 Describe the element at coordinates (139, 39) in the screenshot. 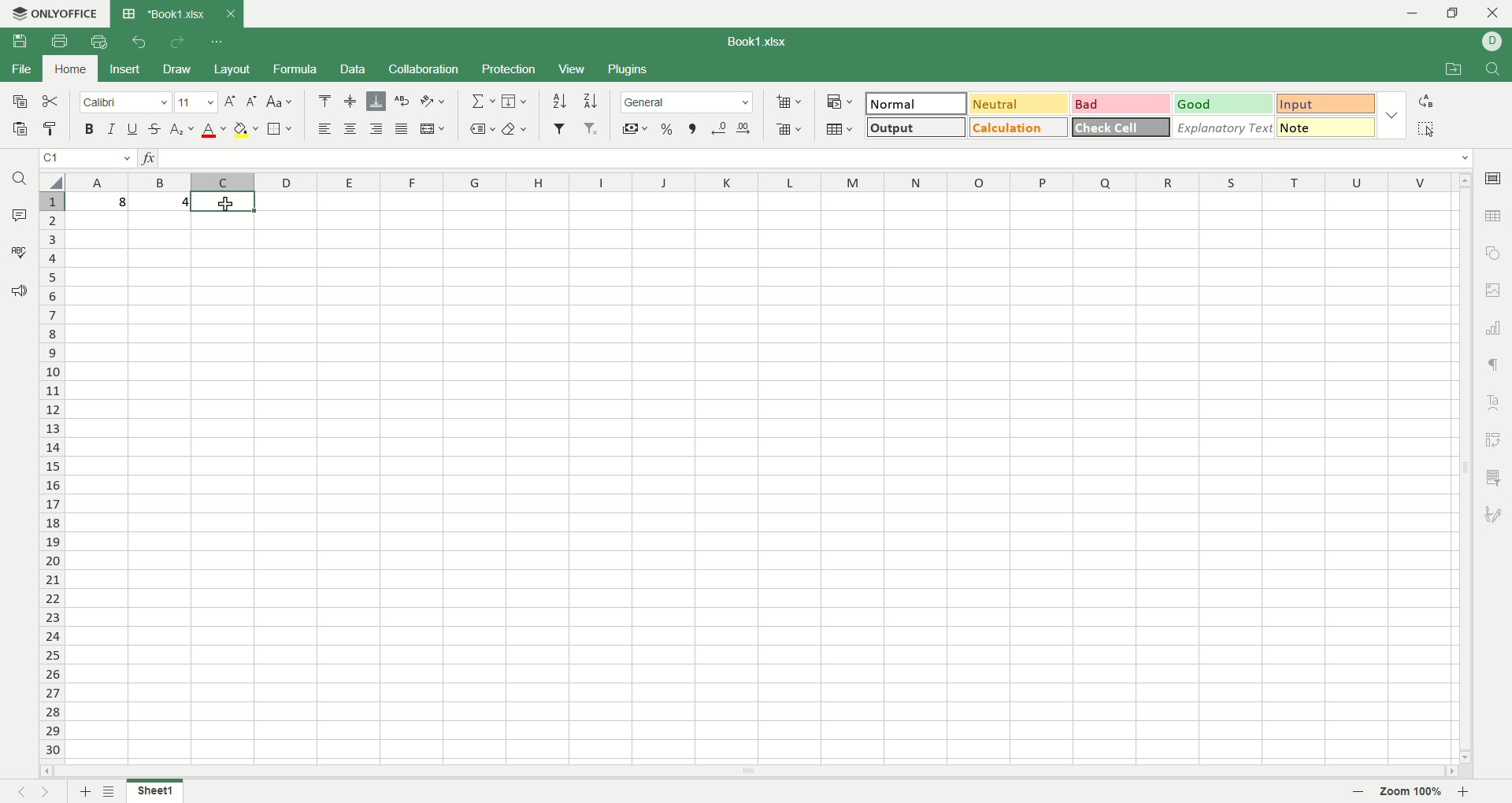

I see `undo` at that location.